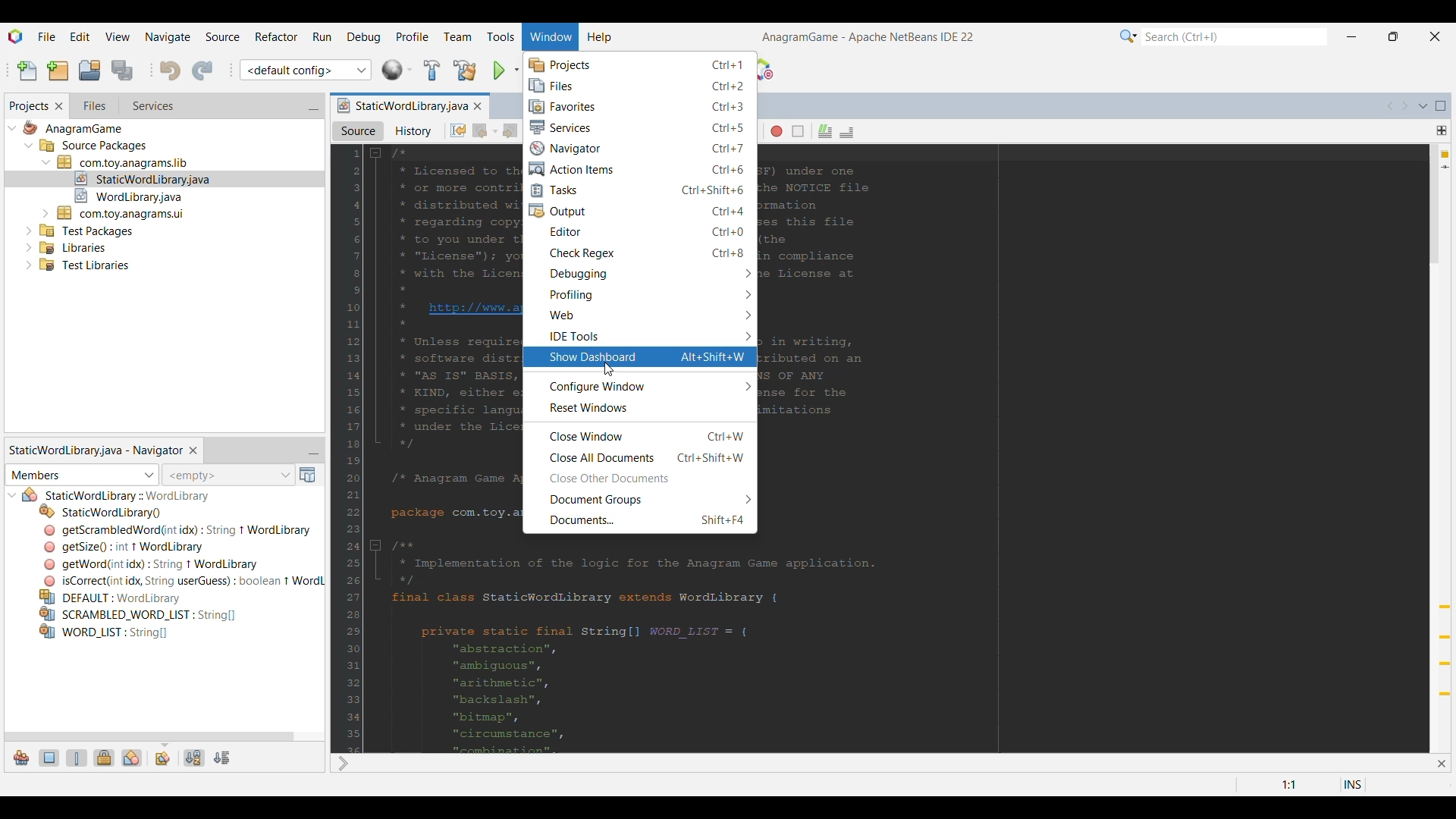 Image resolution: width=1456 pixels, height=819 pixels. I want to click on , so click(156, 563).